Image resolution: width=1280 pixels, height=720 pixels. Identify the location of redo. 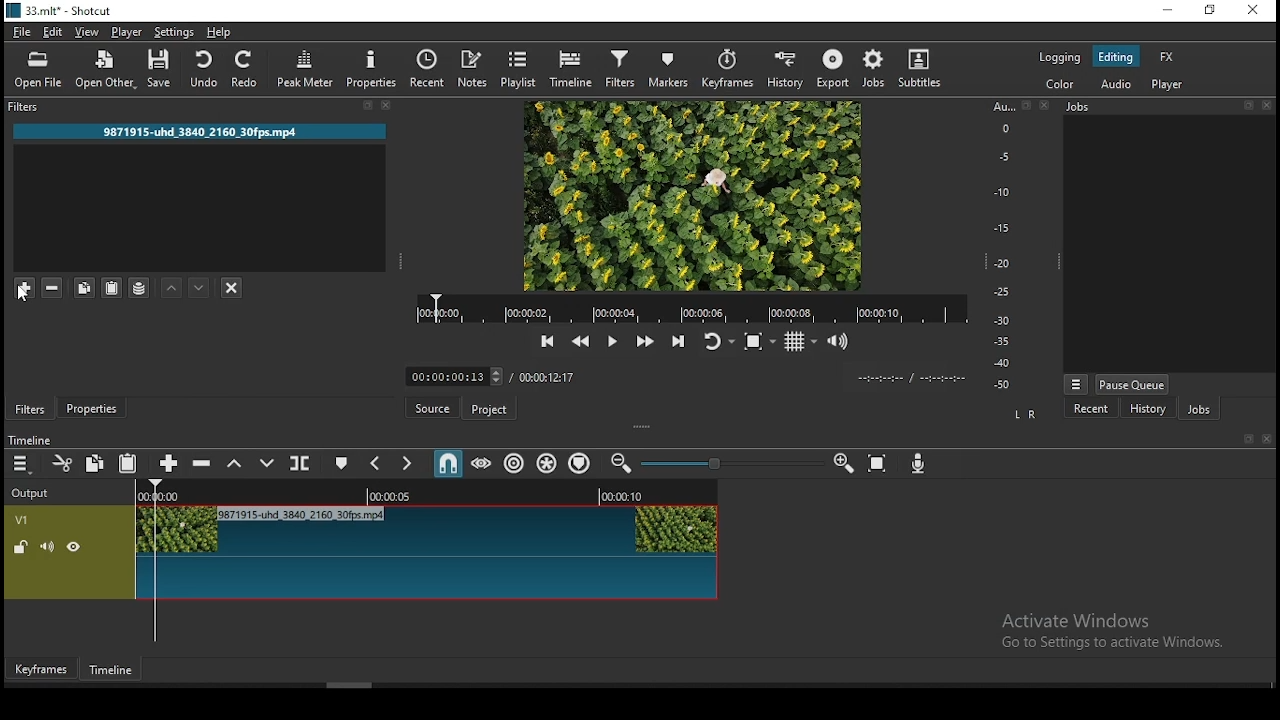
(246, 69).